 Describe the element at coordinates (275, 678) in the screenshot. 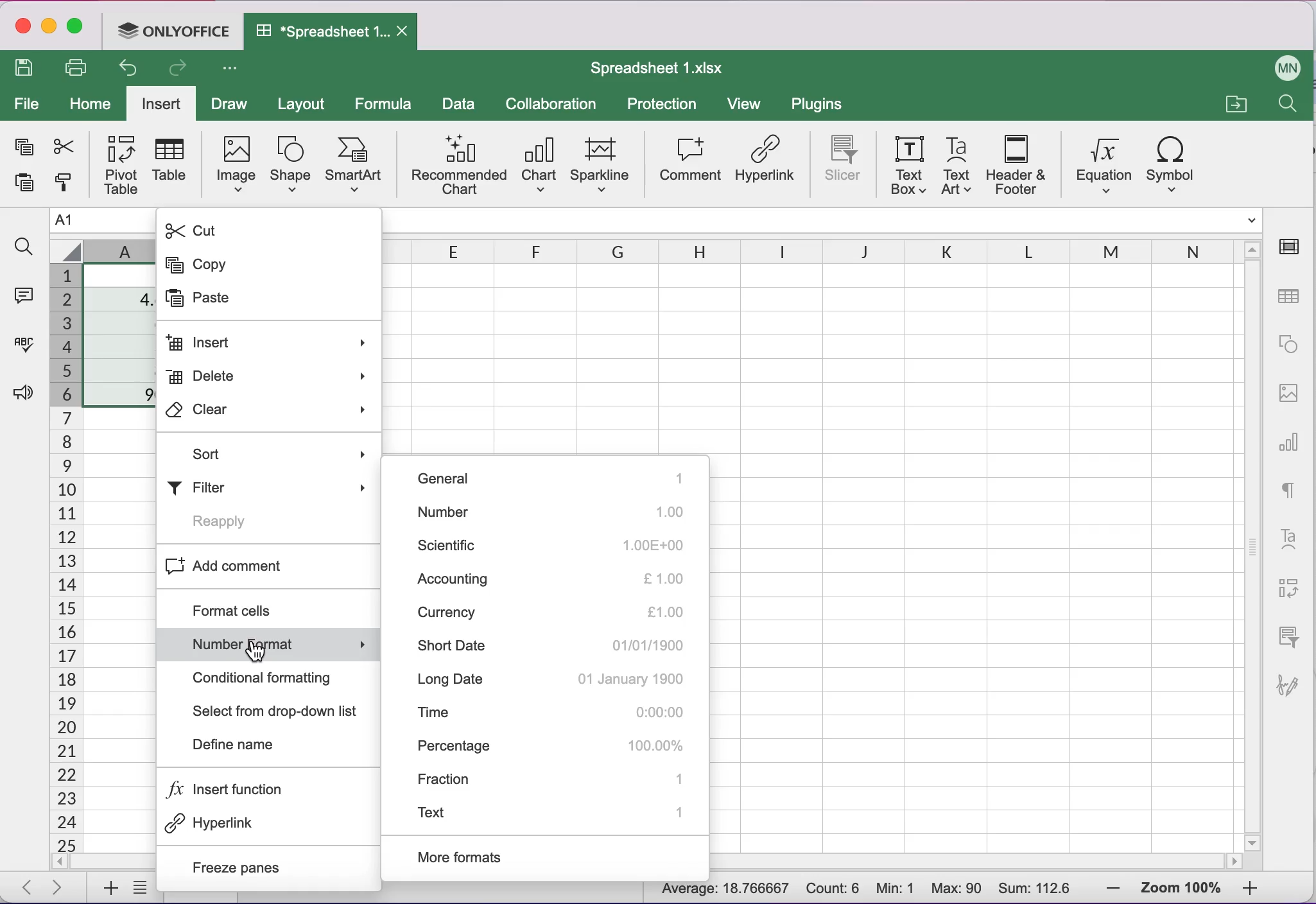

I see `Conditional formatting` at that location.